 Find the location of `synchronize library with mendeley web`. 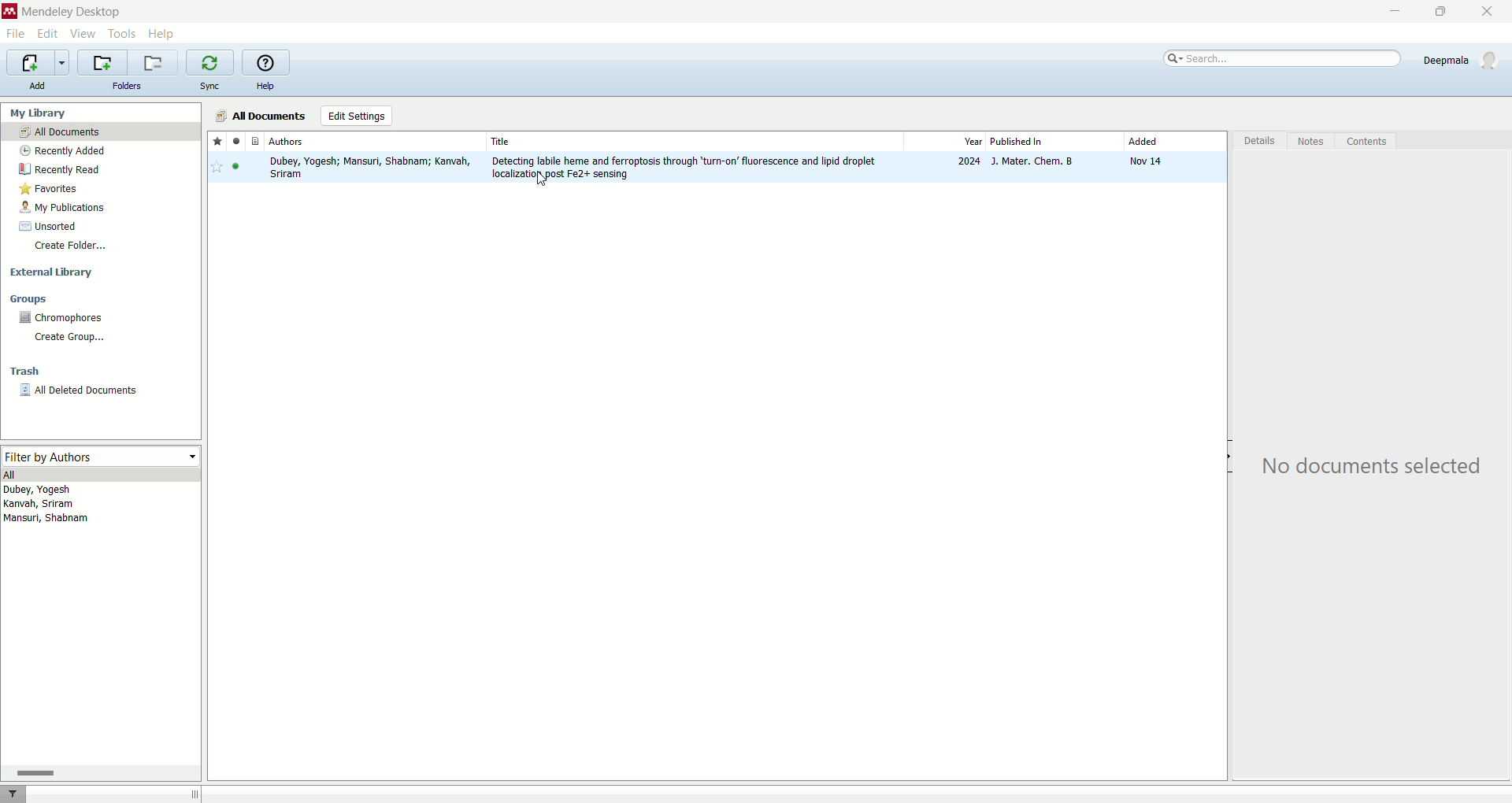

synchronize library with mendeley web is located at coordinates (209, 63).